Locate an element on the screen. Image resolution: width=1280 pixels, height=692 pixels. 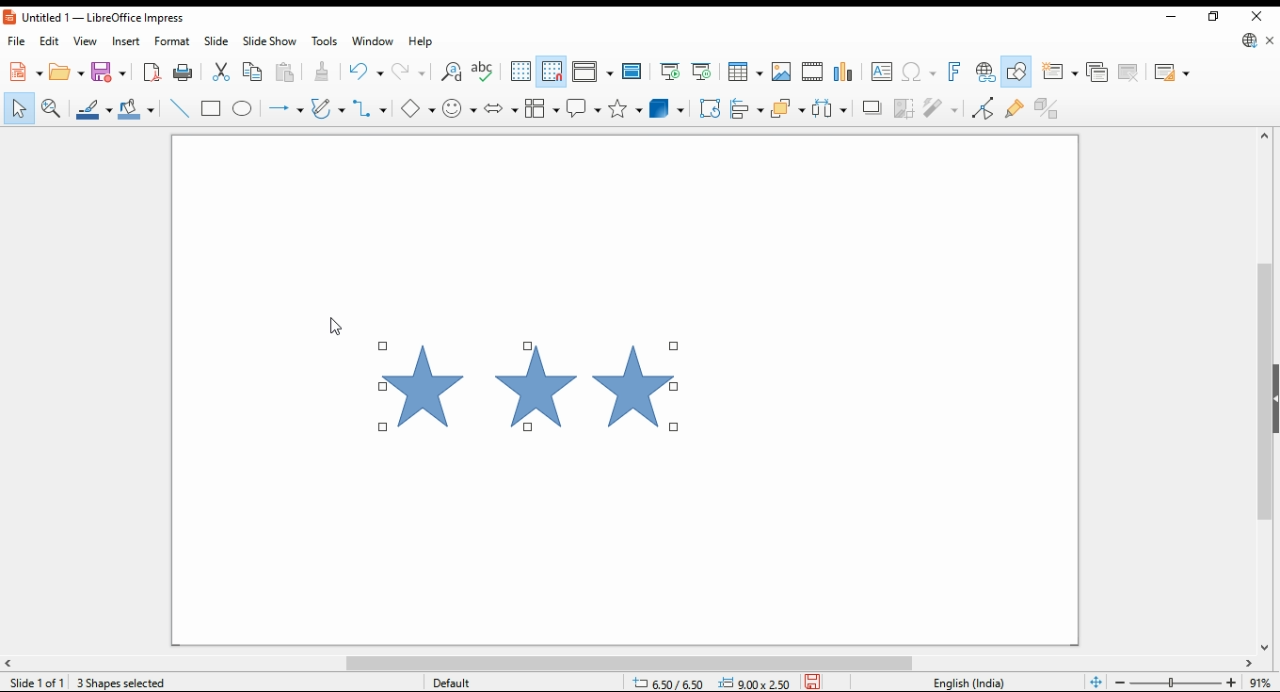
show grids is located at coordinates (519, 71).